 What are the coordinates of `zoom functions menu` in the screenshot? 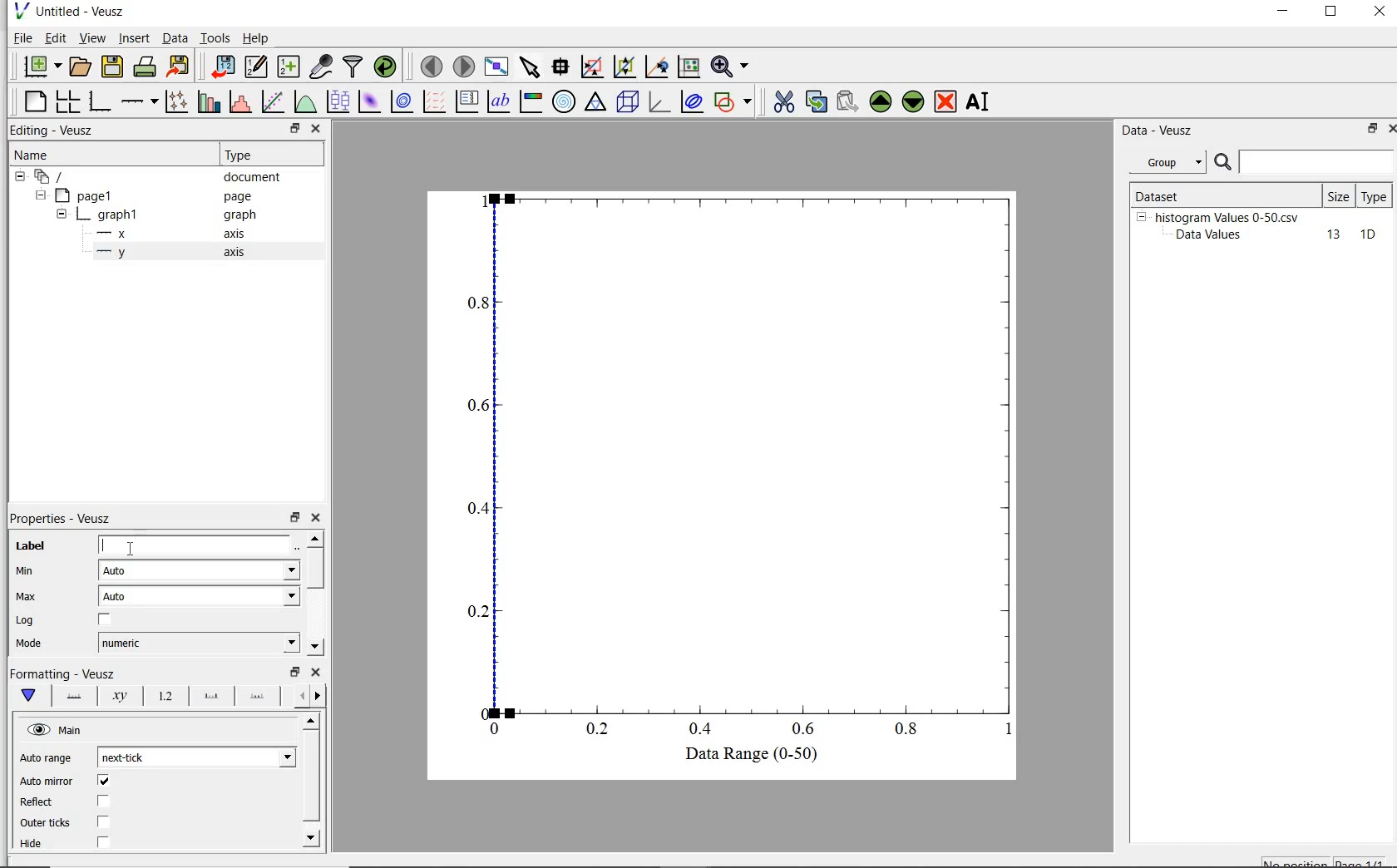 It's located at (730, 67).